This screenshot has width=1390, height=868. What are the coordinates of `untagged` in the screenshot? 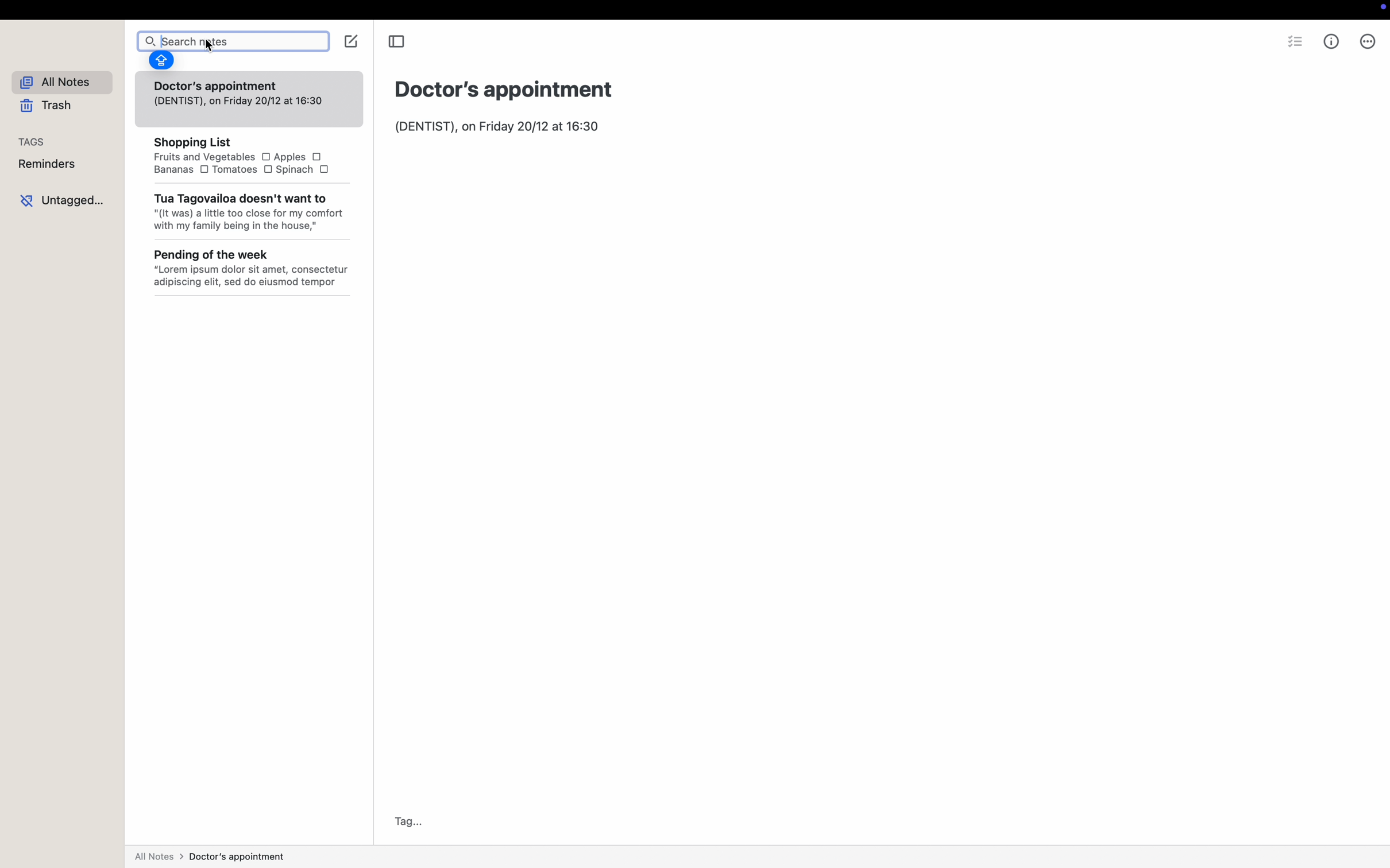 It's located at (61, 198).